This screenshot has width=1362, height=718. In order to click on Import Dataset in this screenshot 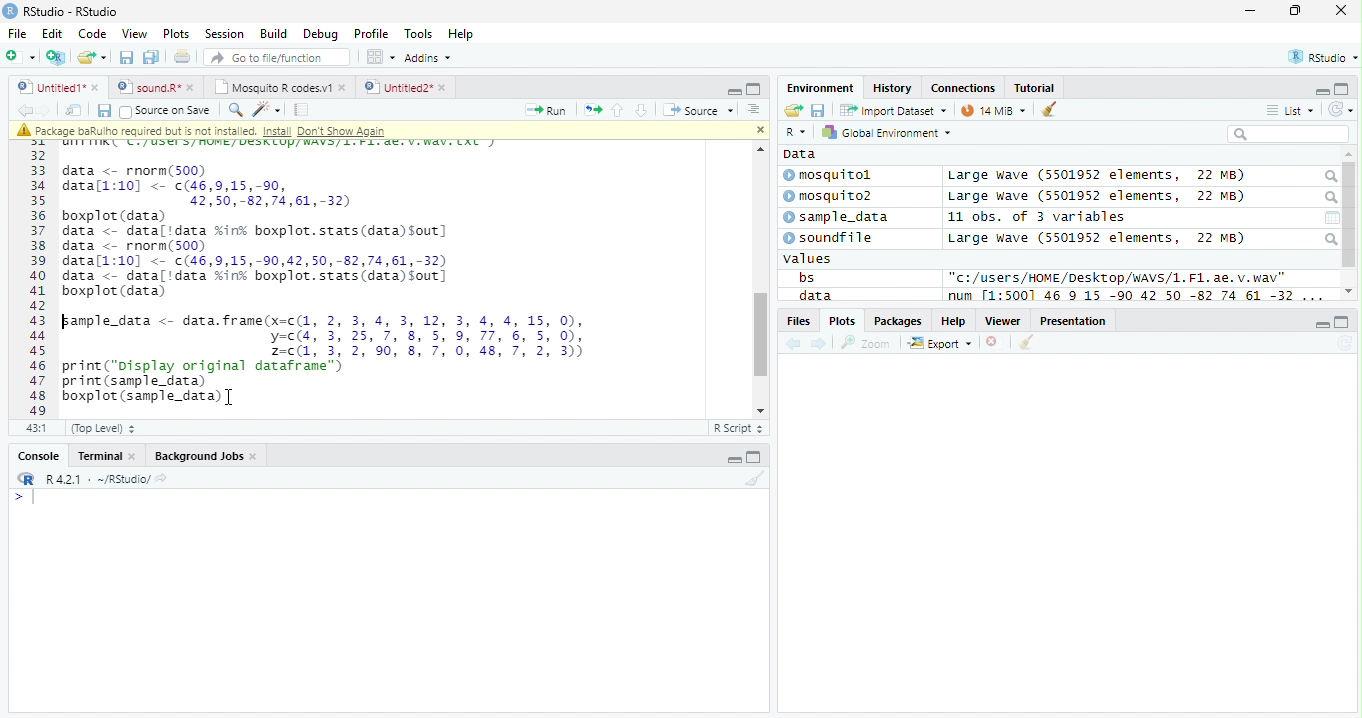, I will do `click(893, 111)`.